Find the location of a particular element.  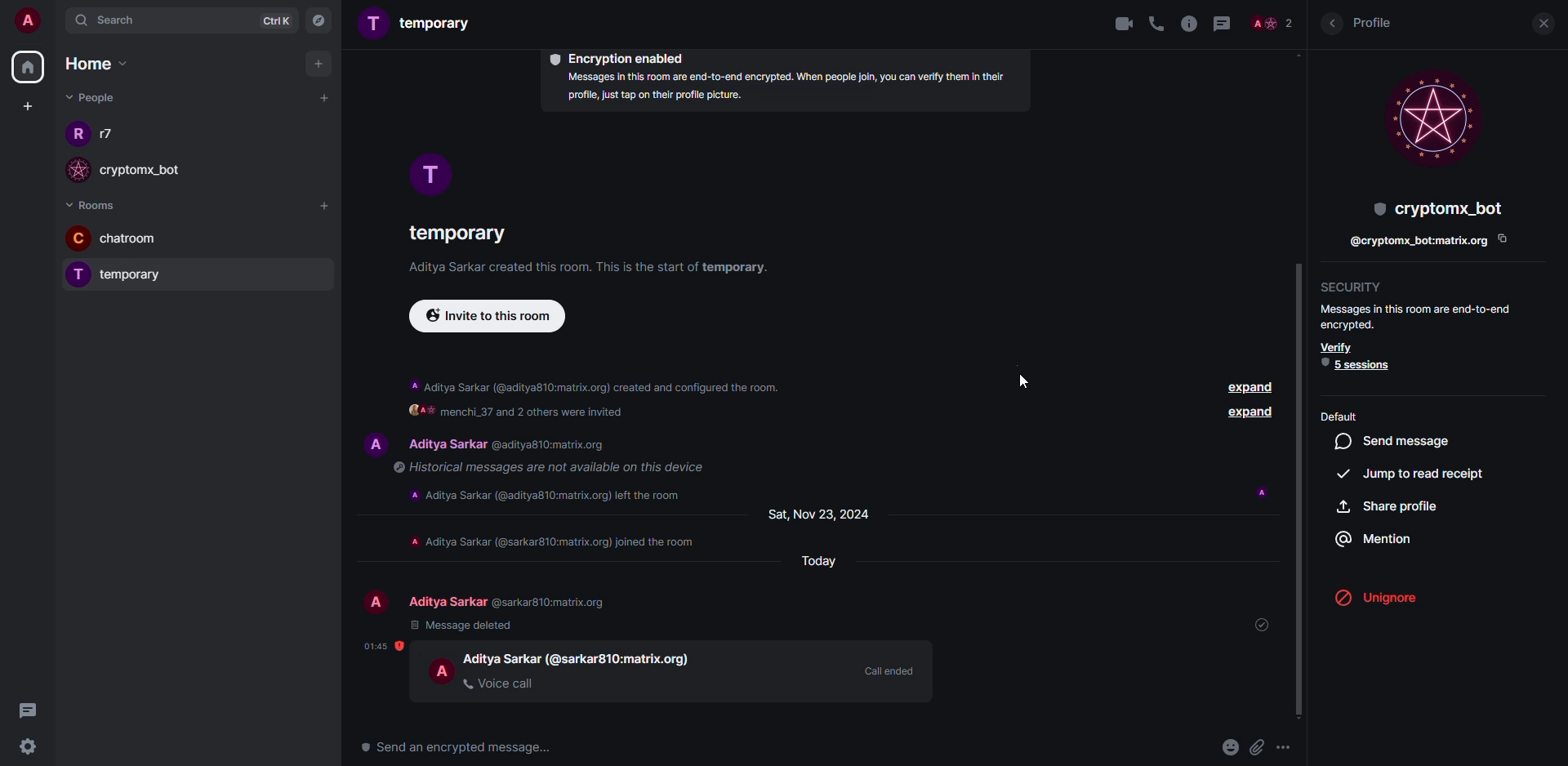

default is located at coordinates (1340, 416).